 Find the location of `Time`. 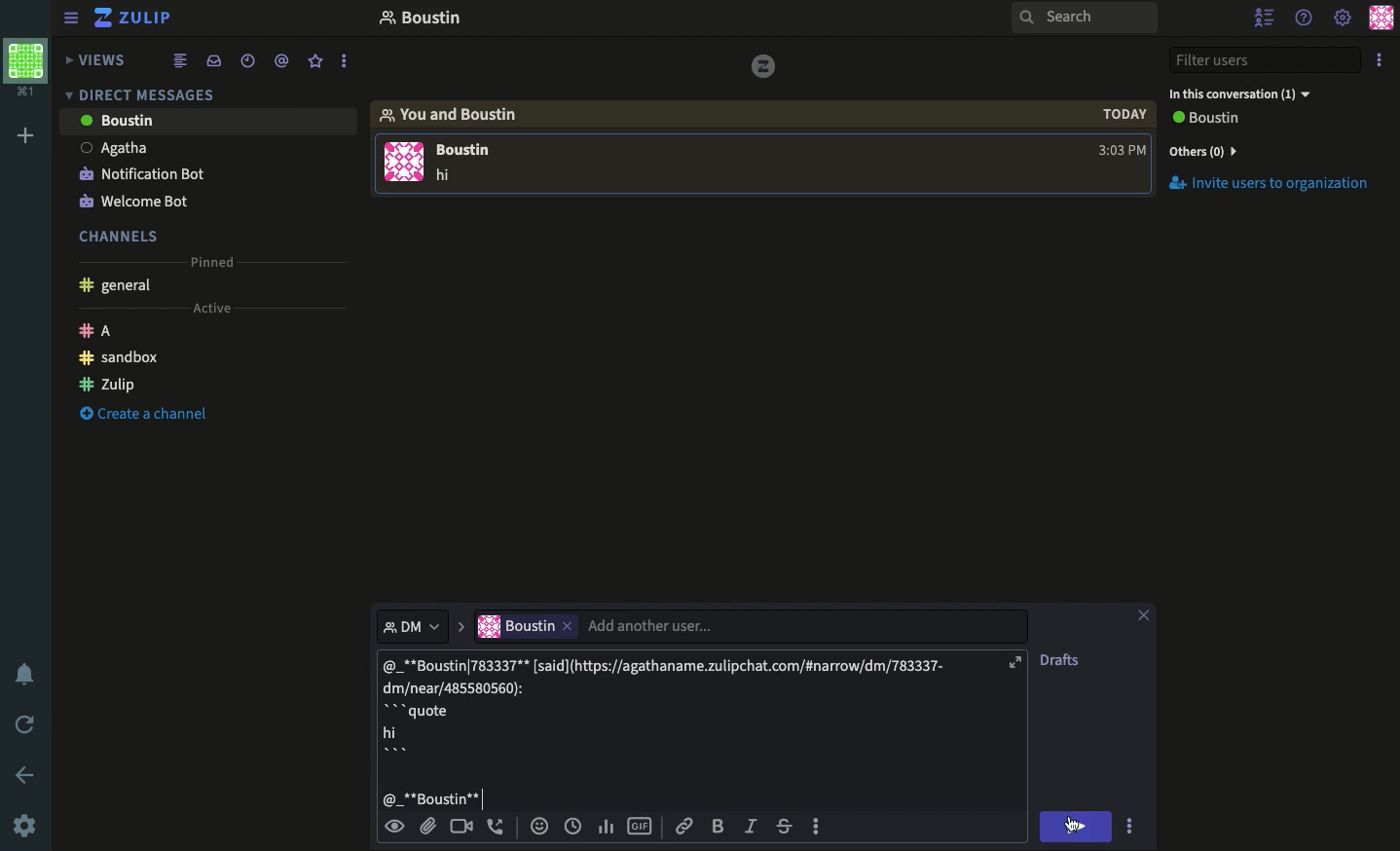

Time is located at coordinates (573, 826).